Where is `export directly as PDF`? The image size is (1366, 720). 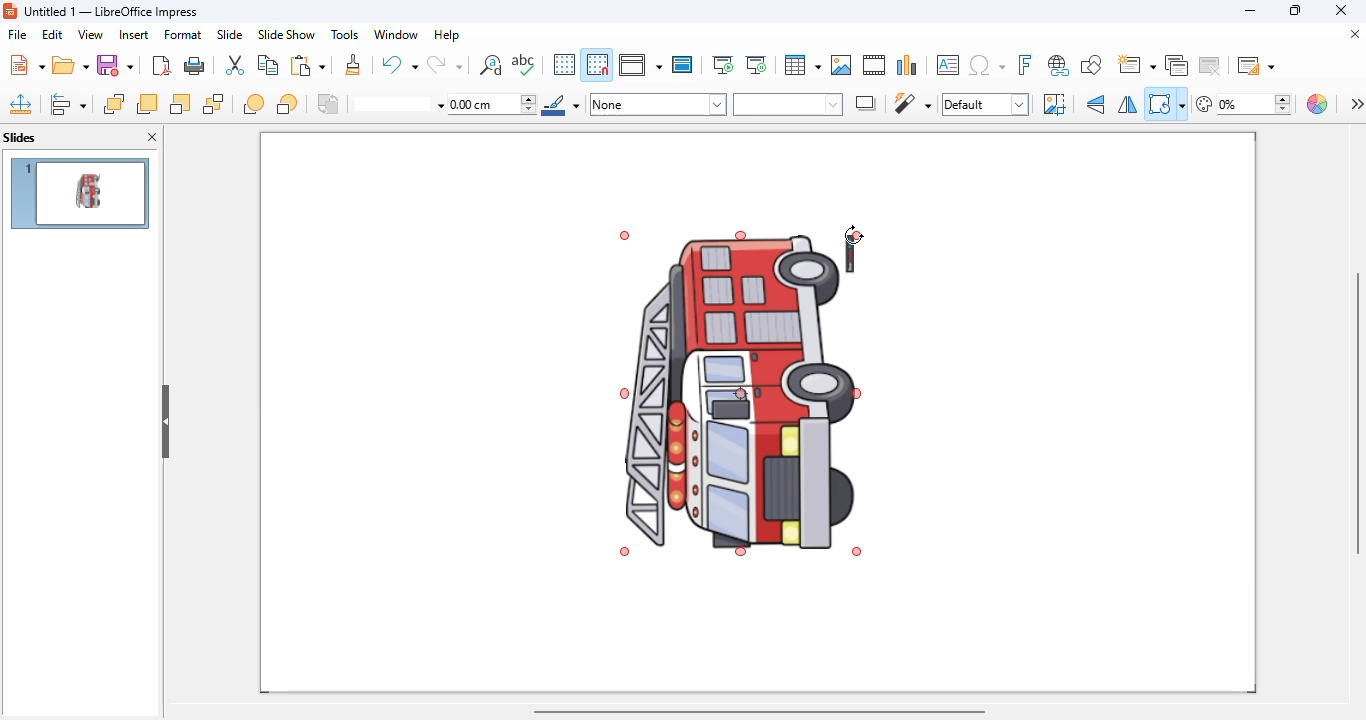
export directly as PDF is located at coordinates (161, 65).